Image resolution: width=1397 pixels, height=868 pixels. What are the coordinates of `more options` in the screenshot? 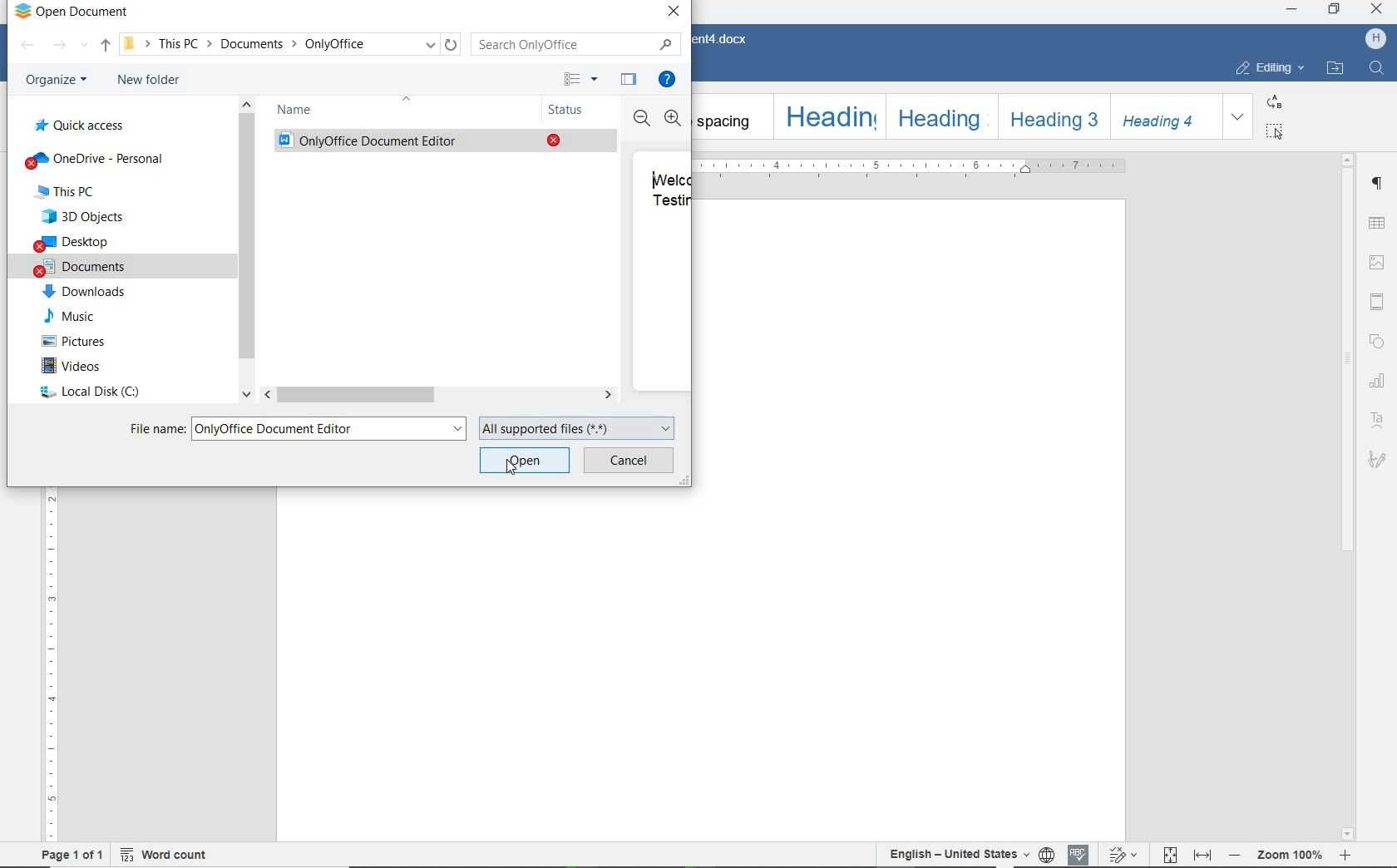 It's located at (578, 79).